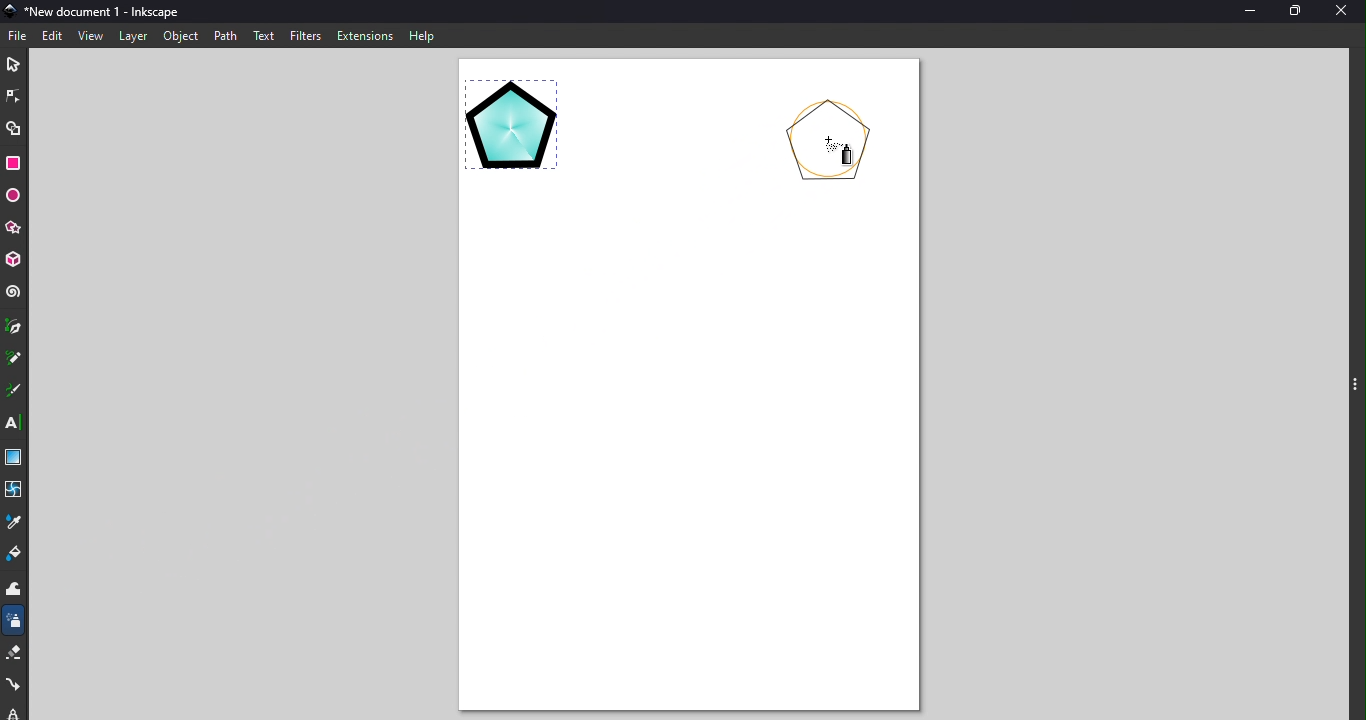  I want to click on Path, so click(226, 35).